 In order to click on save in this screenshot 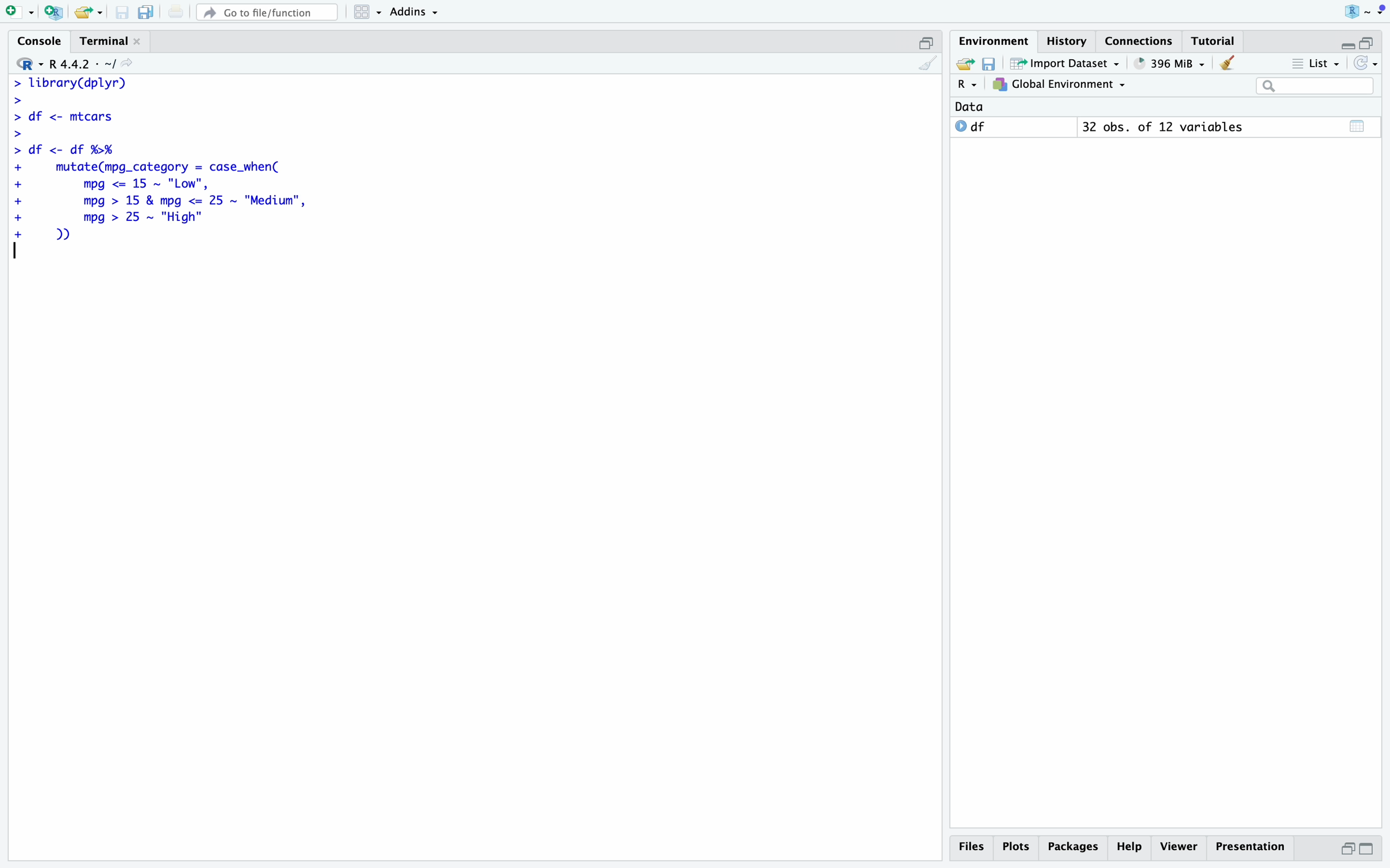, I will do `click(122, 13)`.